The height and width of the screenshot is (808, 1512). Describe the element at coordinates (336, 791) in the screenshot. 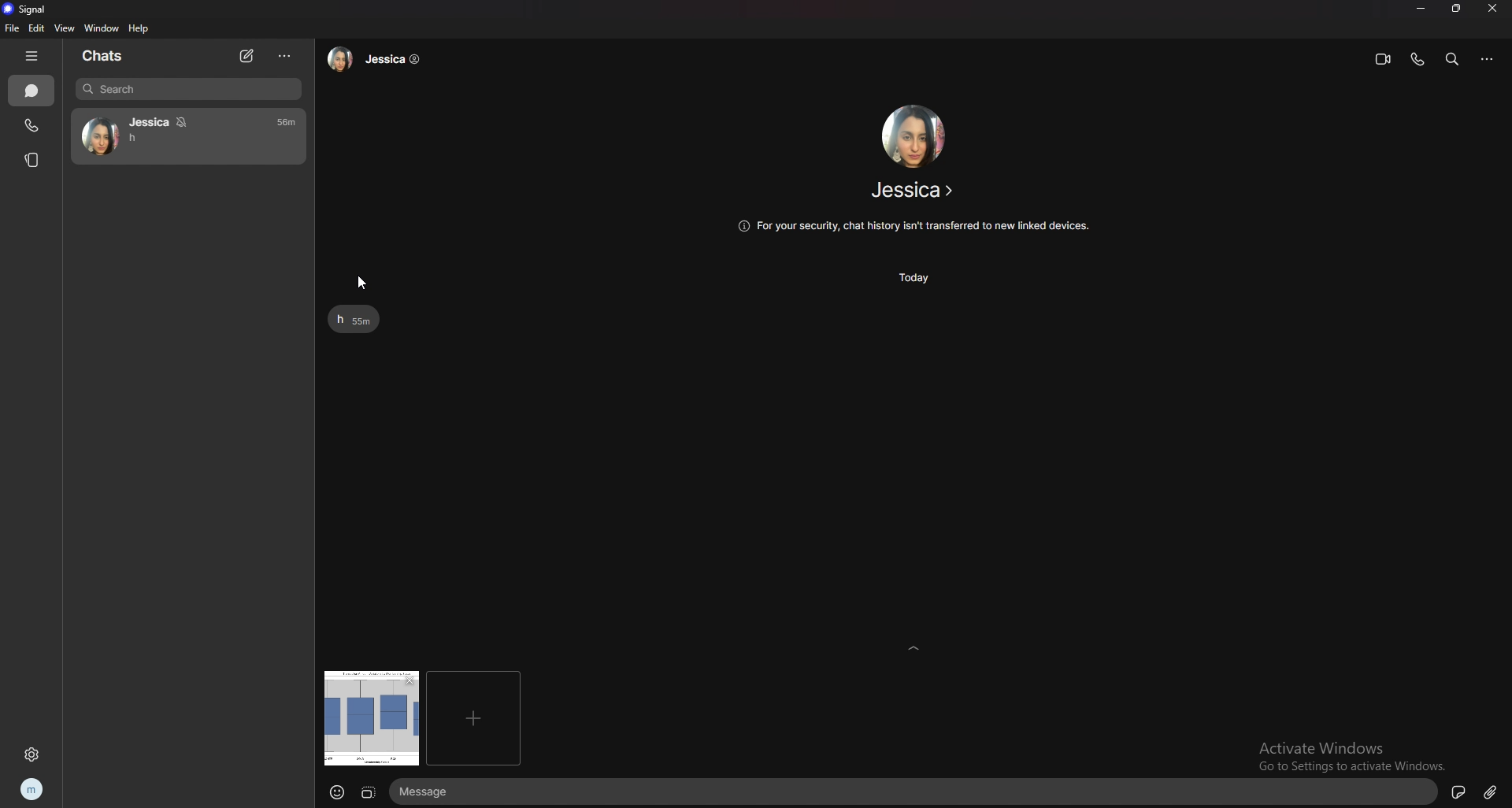

I see `emojis` at that location.